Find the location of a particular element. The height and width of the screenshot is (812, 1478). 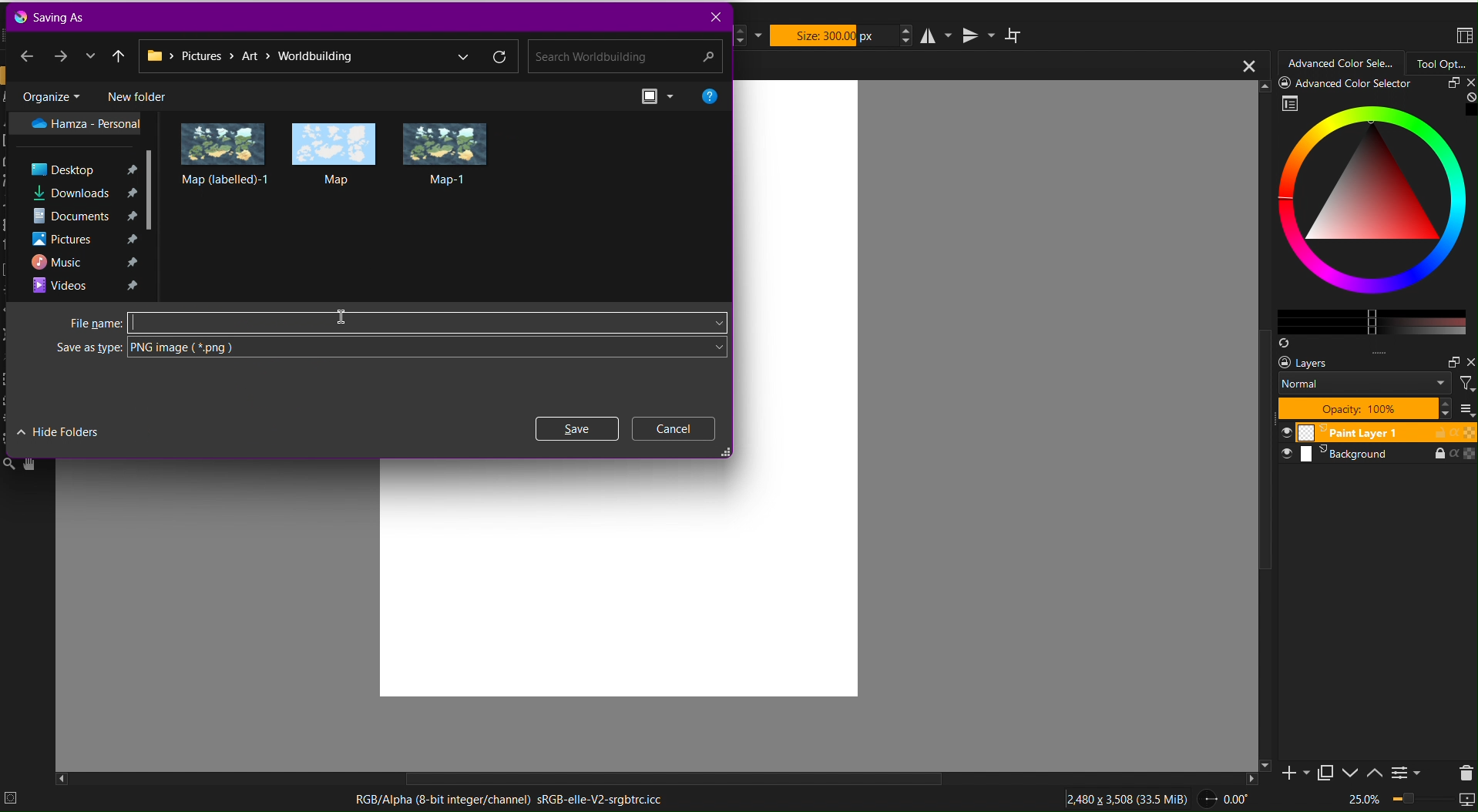

File Name is located at coordinates (395, 322).